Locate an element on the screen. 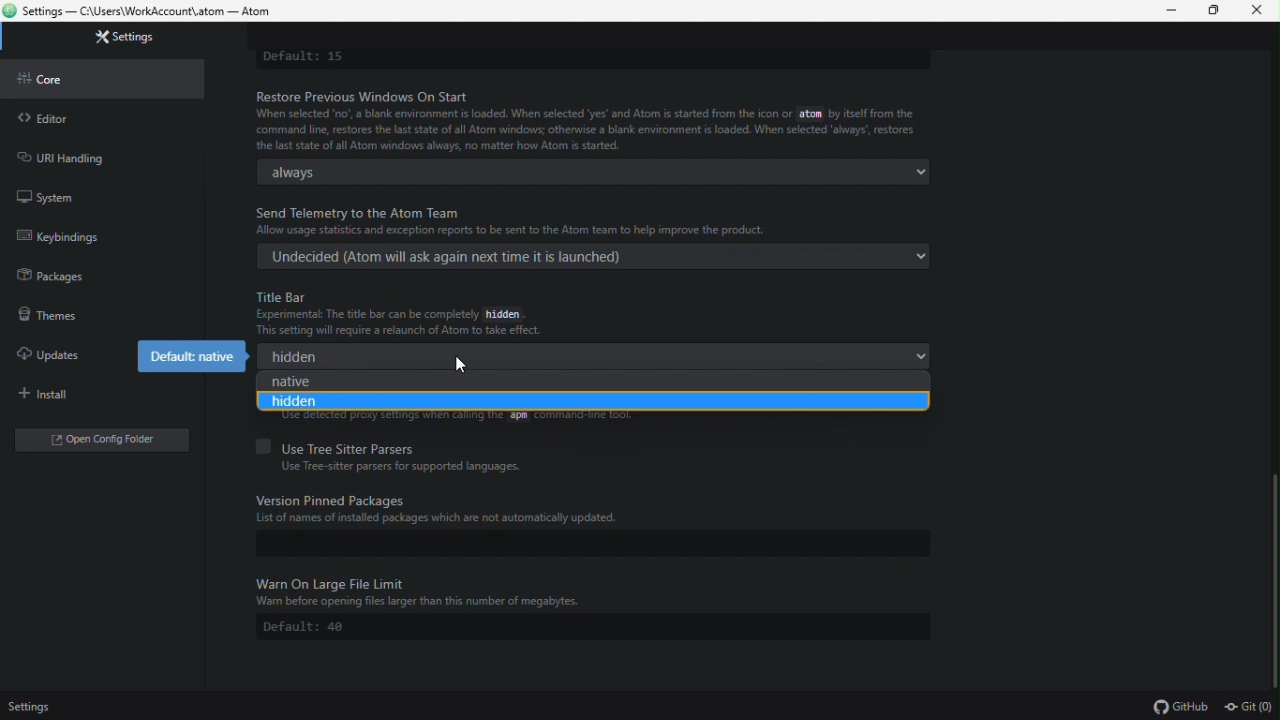 The width and height of the screenshot is (1280, 720). Packages is located at coordinates (94, 276).